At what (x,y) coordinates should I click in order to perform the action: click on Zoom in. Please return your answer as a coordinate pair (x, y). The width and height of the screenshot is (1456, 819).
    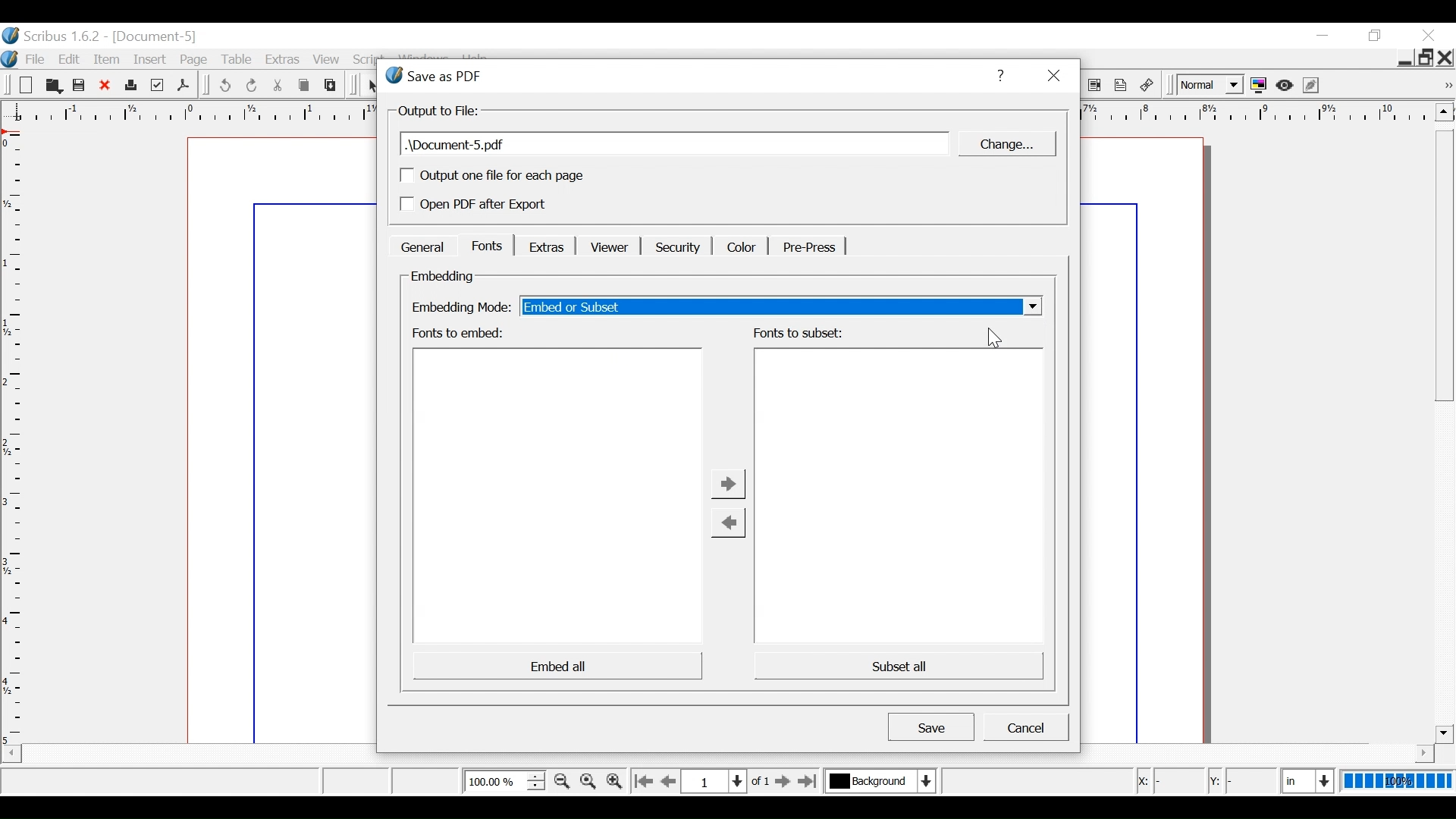
    Looking at the image, I should click on (613, 780).